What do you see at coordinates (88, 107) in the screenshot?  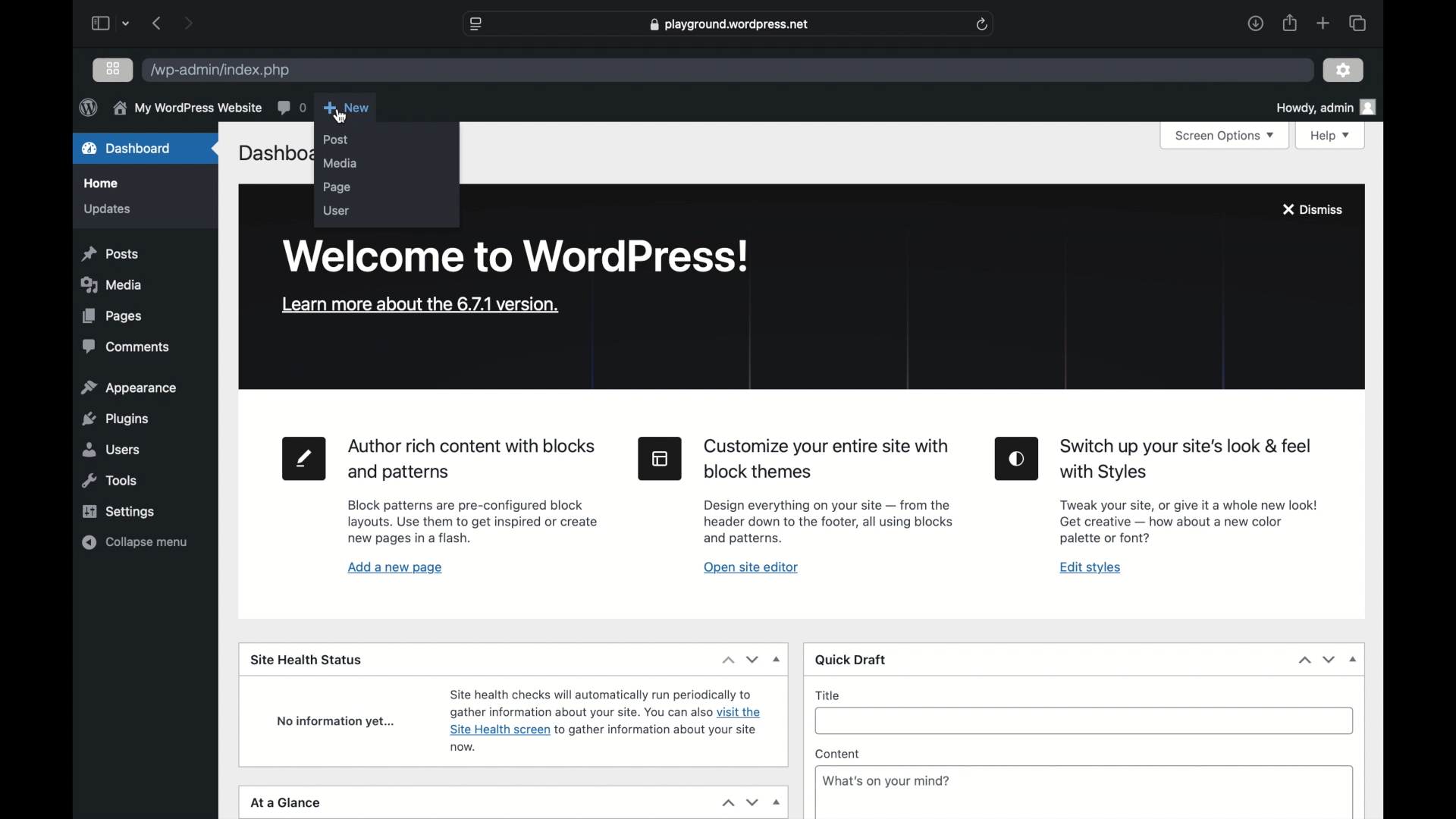 I see `wordpress` at bounding box center [88, 107].